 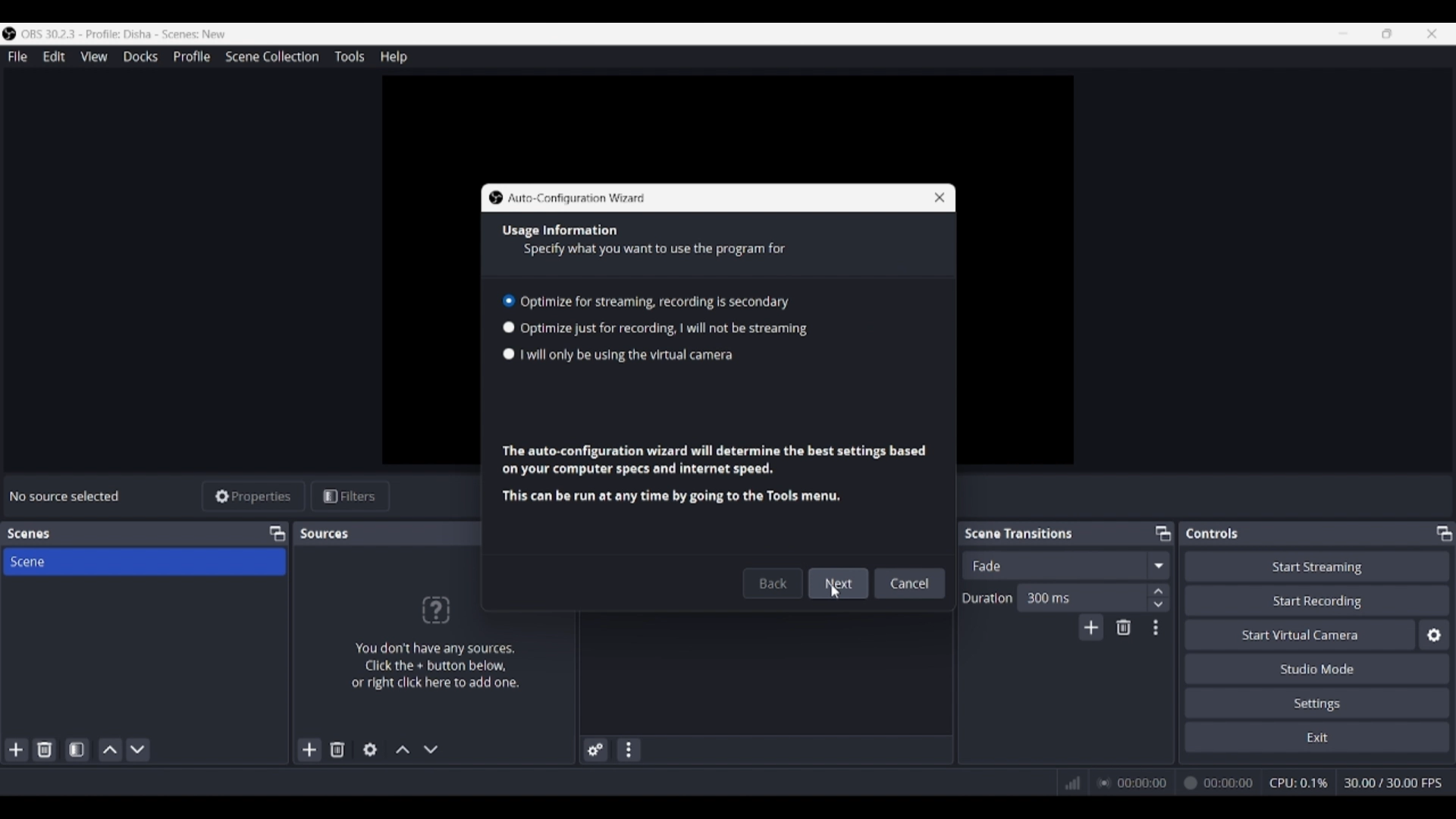 I want to click on Profile menu, highlighted by cursor, so click(x=192, y=57).